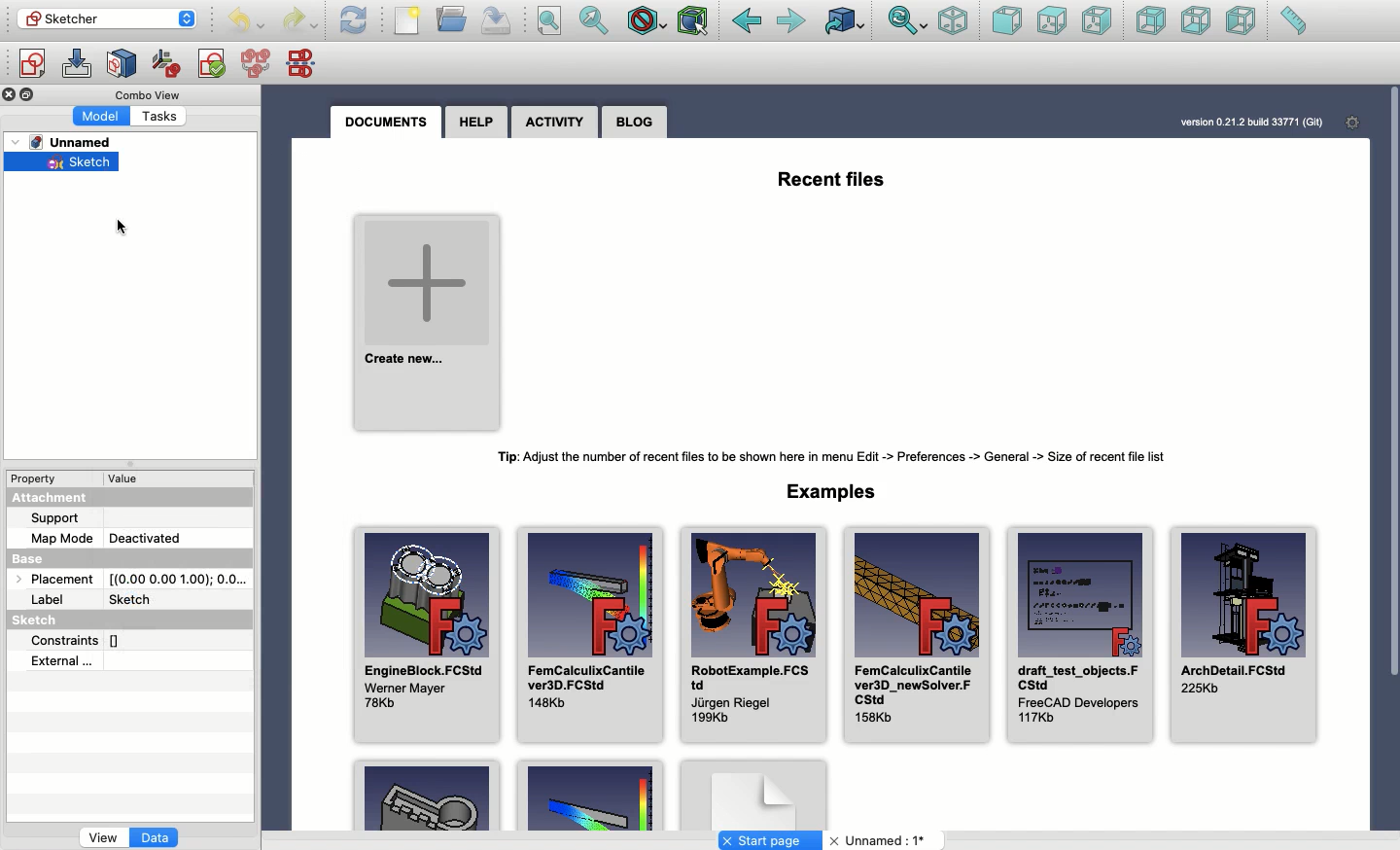  What do you see at coordinates (954, 20) in the screenshot?
I see `Isometric` at bounding box center [954, 20].